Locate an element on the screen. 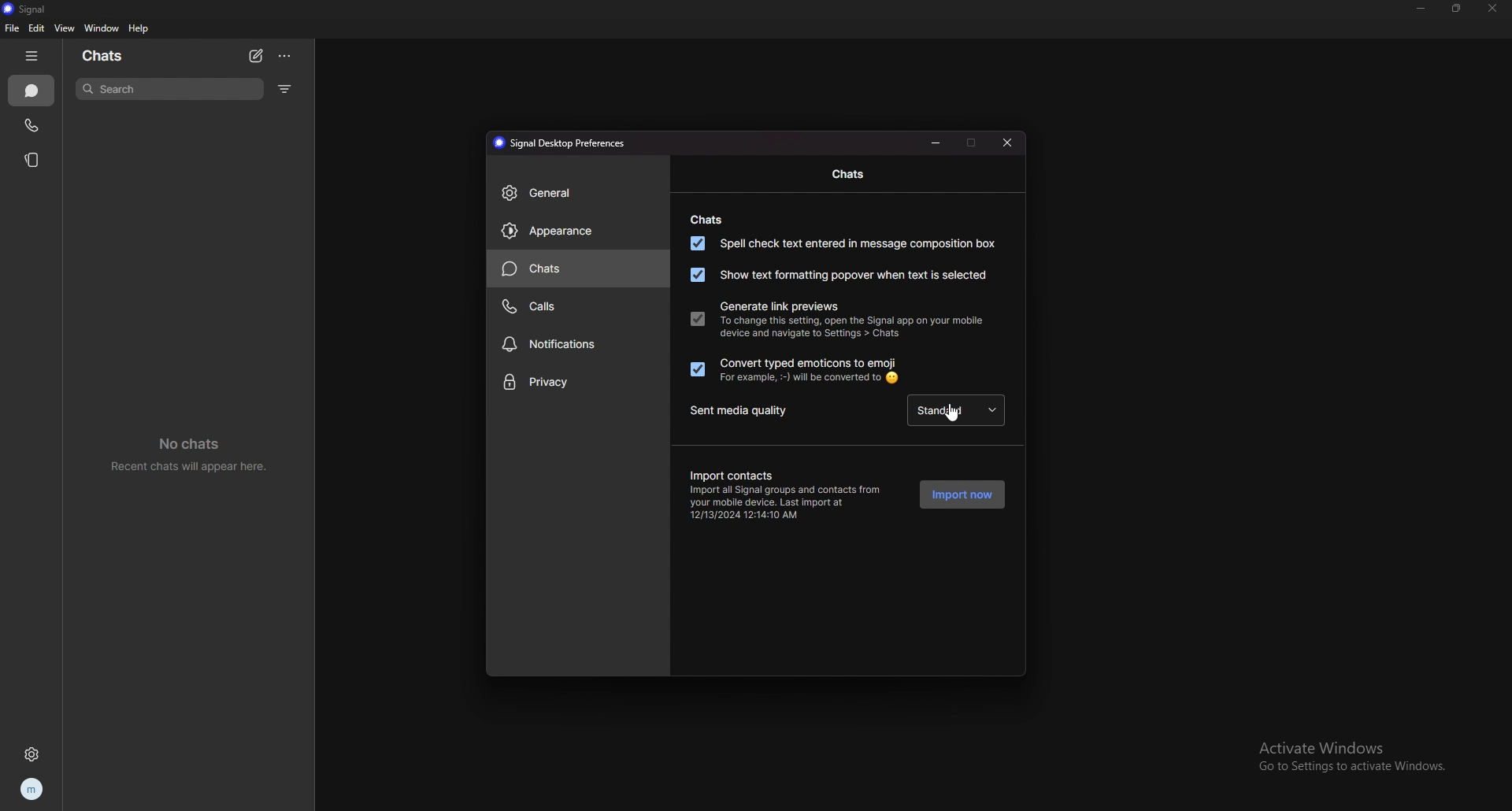  chats is located at coordinates (580, 268).